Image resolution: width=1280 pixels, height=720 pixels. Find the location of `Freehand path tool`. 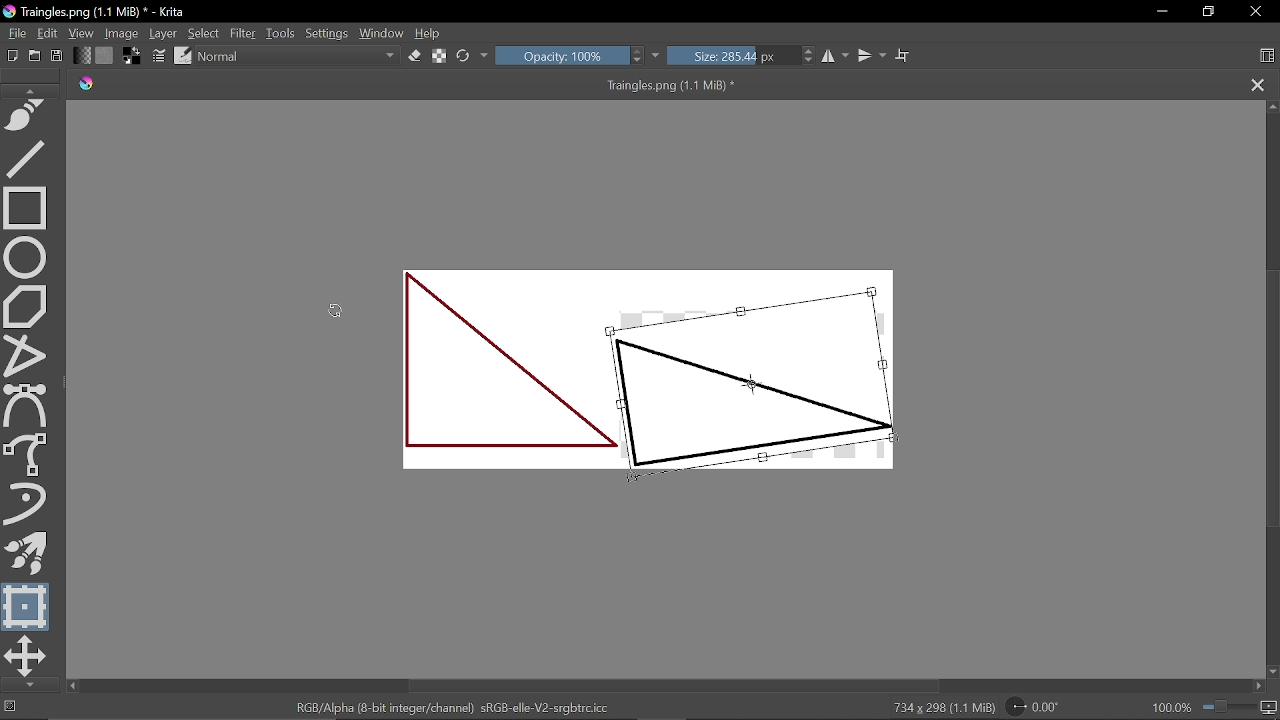

Freehand path tool is located at coordinates (29, 117).